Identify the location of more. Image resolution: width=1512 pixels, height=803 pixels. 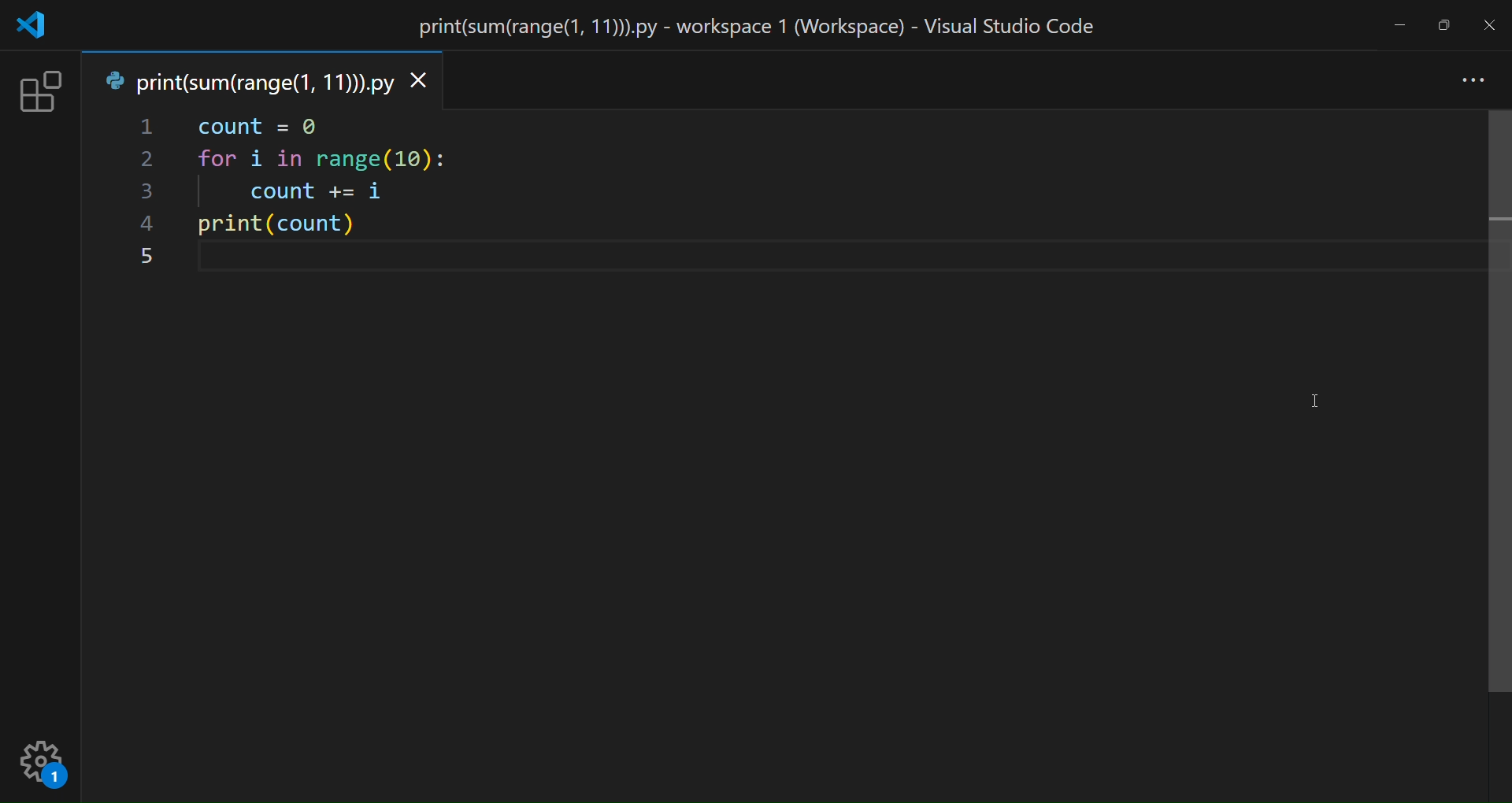
(1475, 82).